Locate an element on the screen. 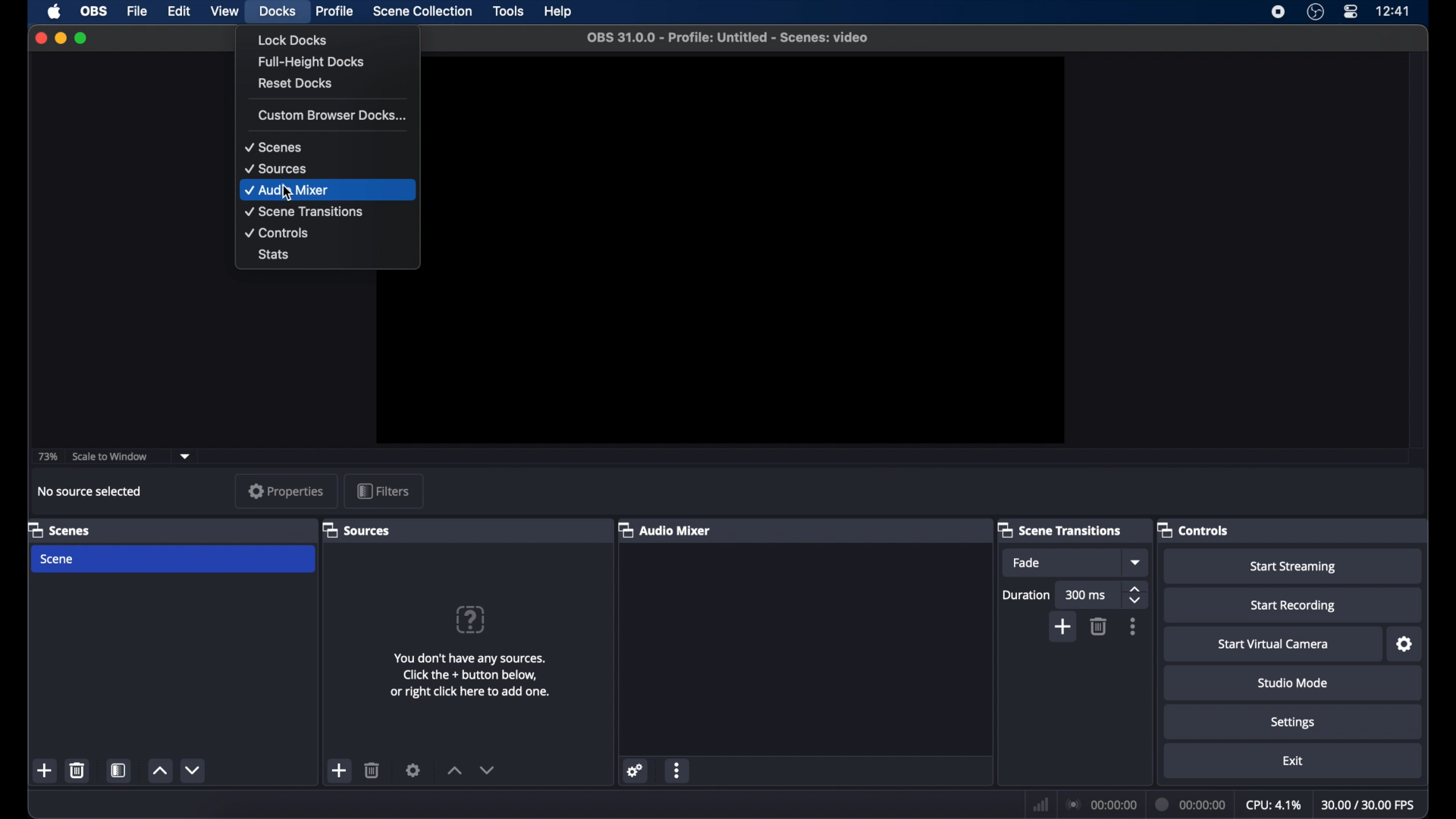 The width and height of the screenshot is (1456, 819). scenes is located at coordinates (60, 529).